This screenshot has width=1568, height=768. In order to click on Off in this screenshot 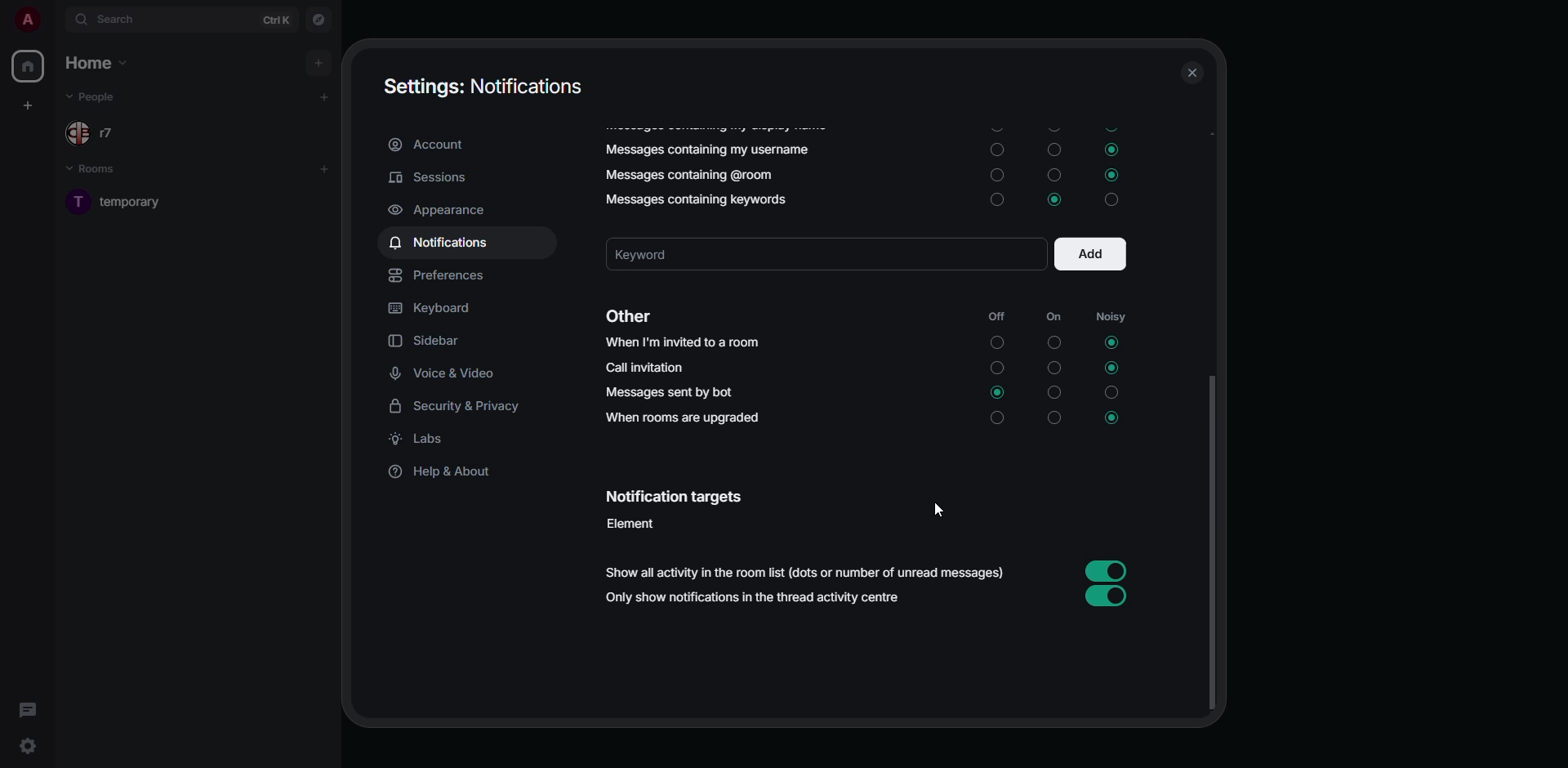, I will do `click(996, 343)`.